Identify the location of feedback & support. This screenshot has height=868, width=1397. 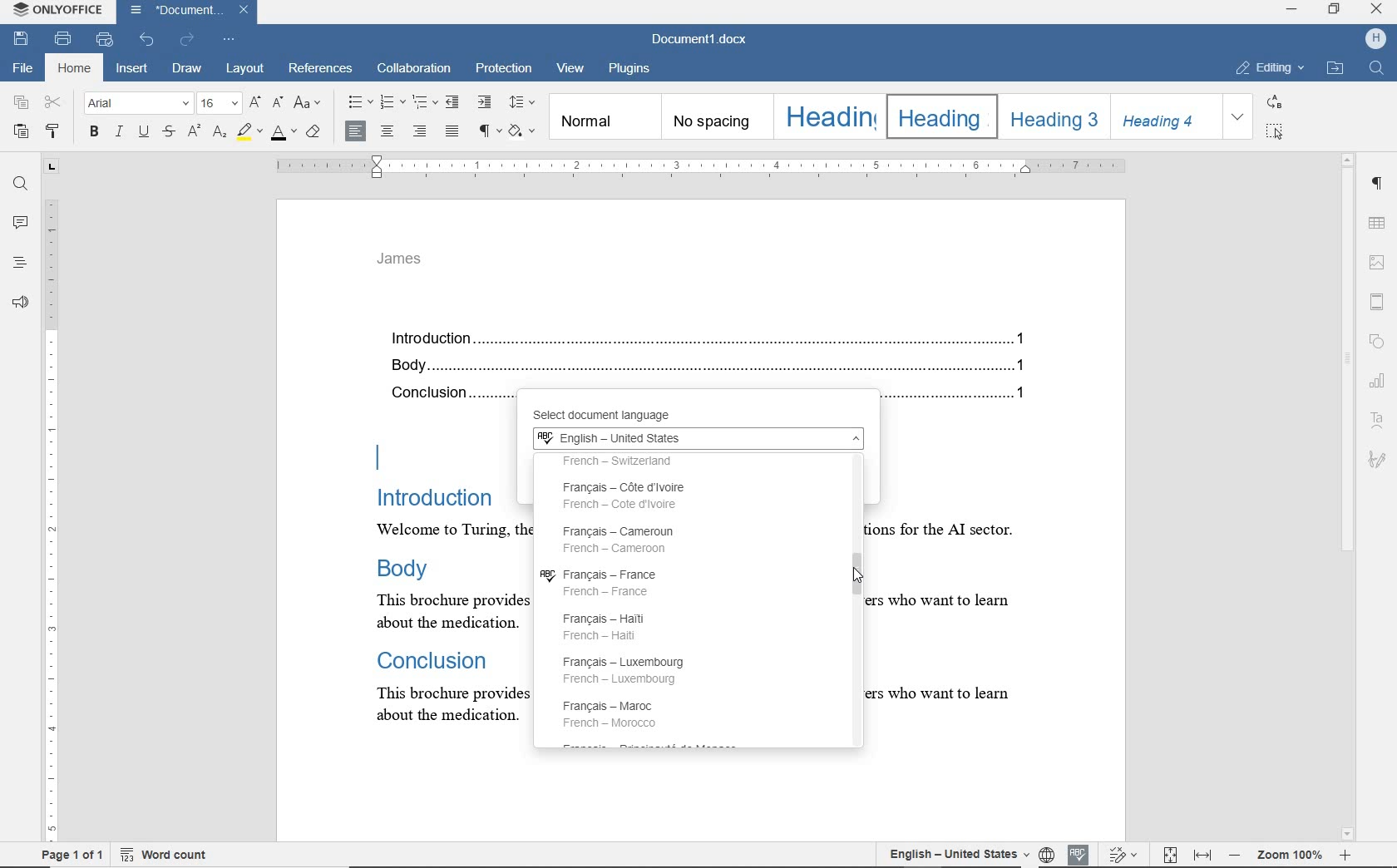
(18, 302).